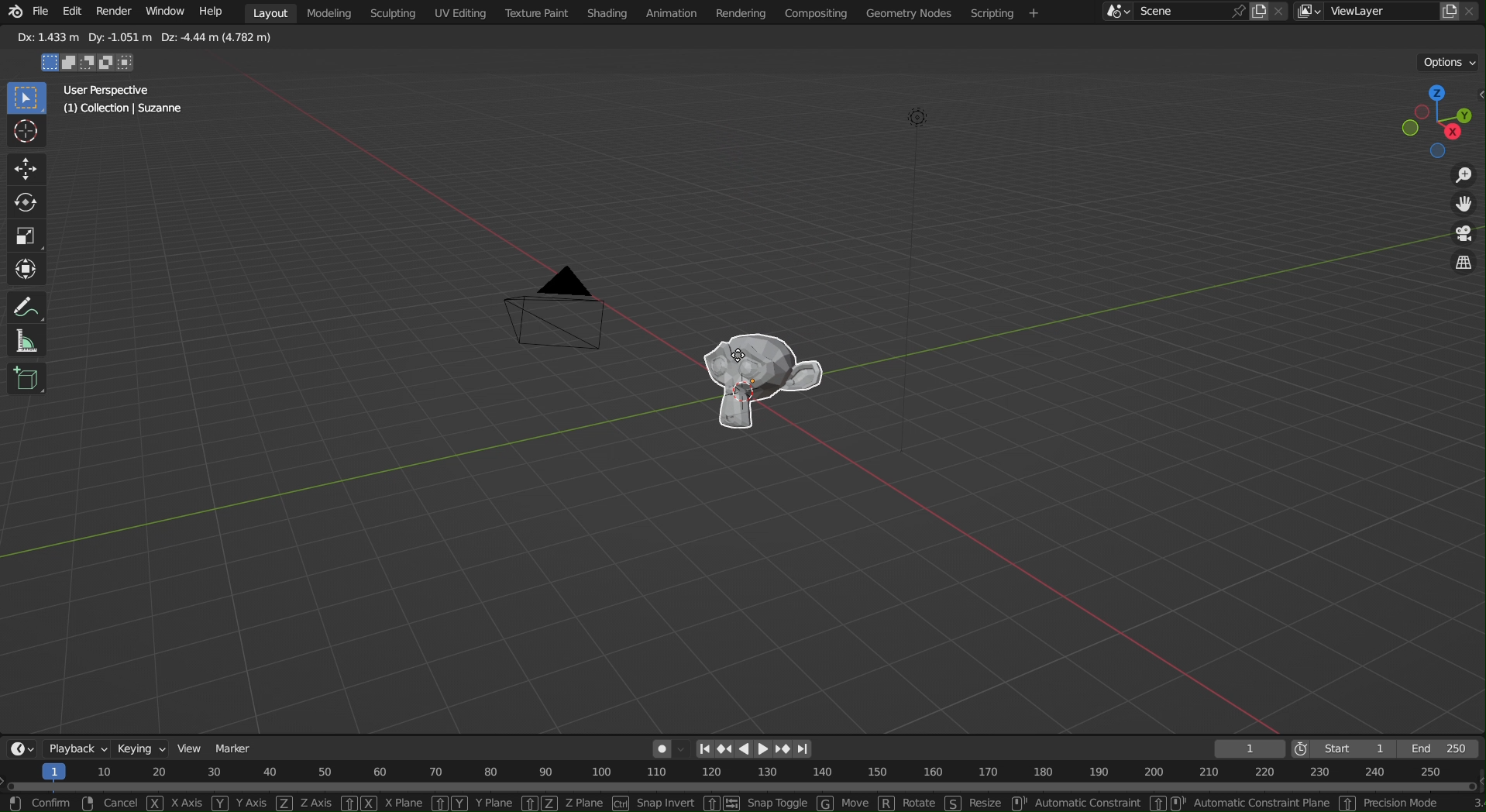 Image resolution: width=1486 pixels, height=812 pixels. Describe the element at coordinates (538, 14) in the screenshot. I see `Texture Paint` at that location.